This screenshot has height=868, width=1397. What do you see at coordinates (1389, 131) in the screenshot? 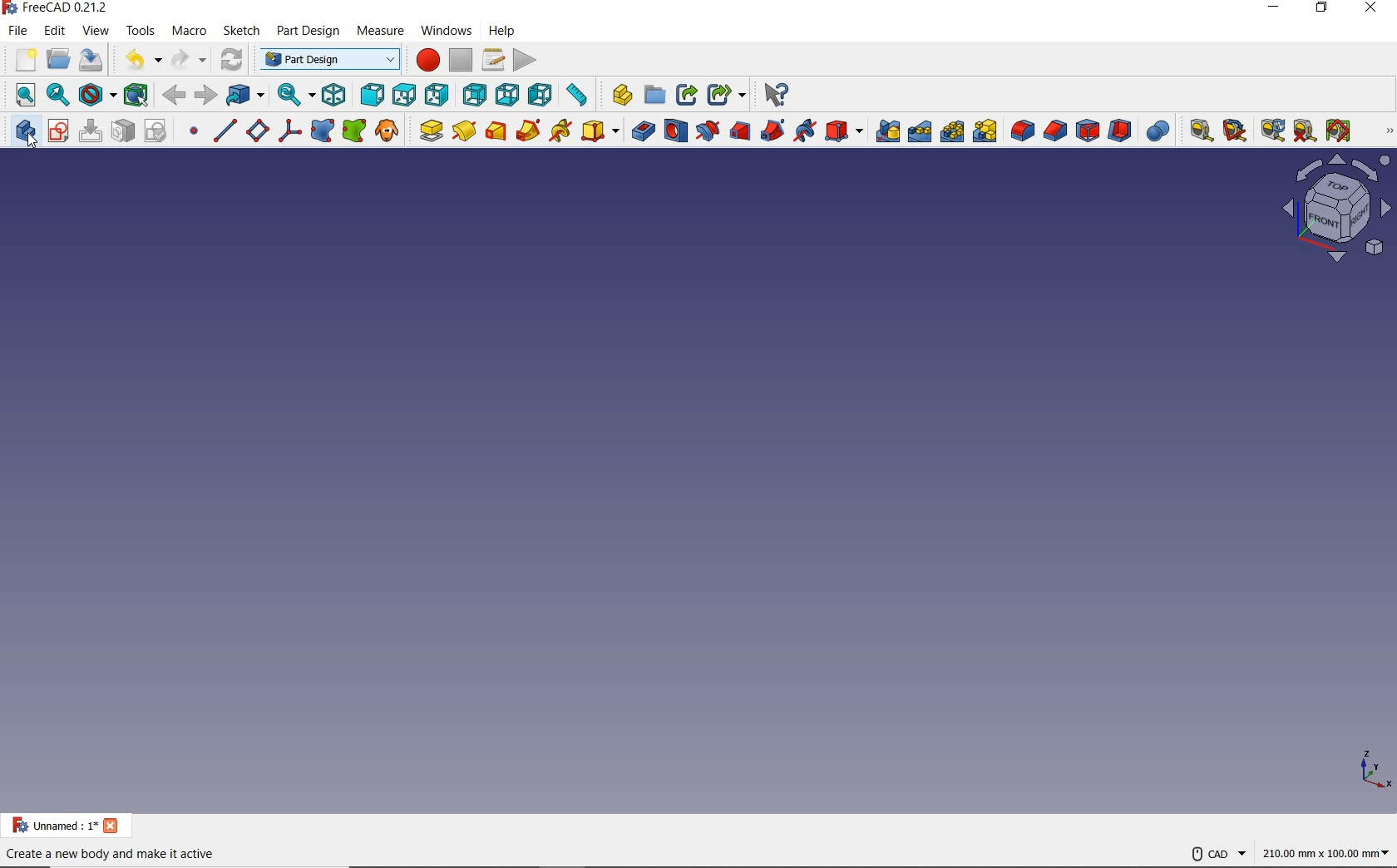
I see `PART DESIGN HELPER` at bounding box center [1389, 131].